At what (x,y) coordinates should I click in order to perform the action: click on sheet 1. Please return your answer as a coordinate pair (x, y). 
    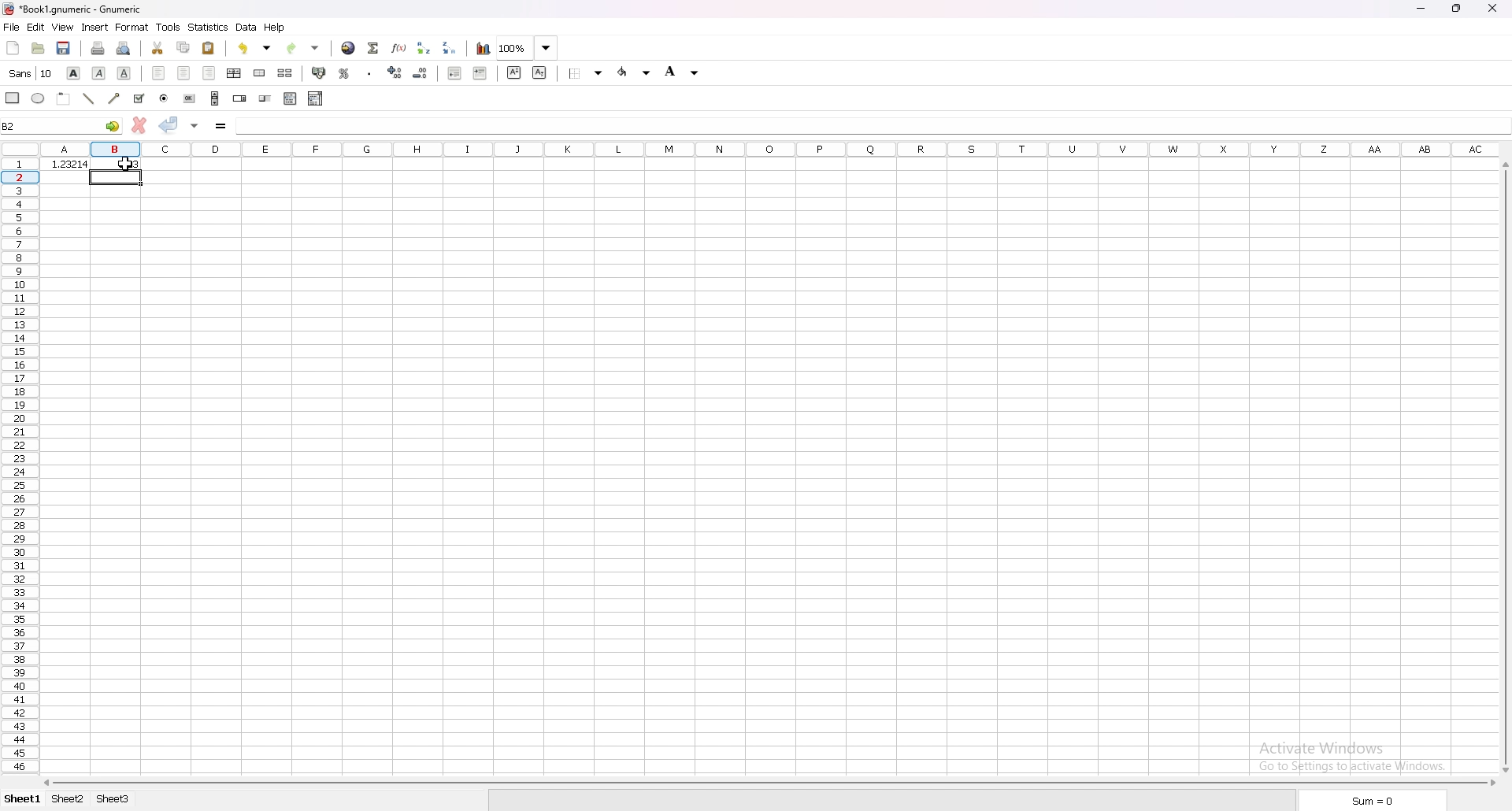
    Looking at the image, I should click on (23, 799).